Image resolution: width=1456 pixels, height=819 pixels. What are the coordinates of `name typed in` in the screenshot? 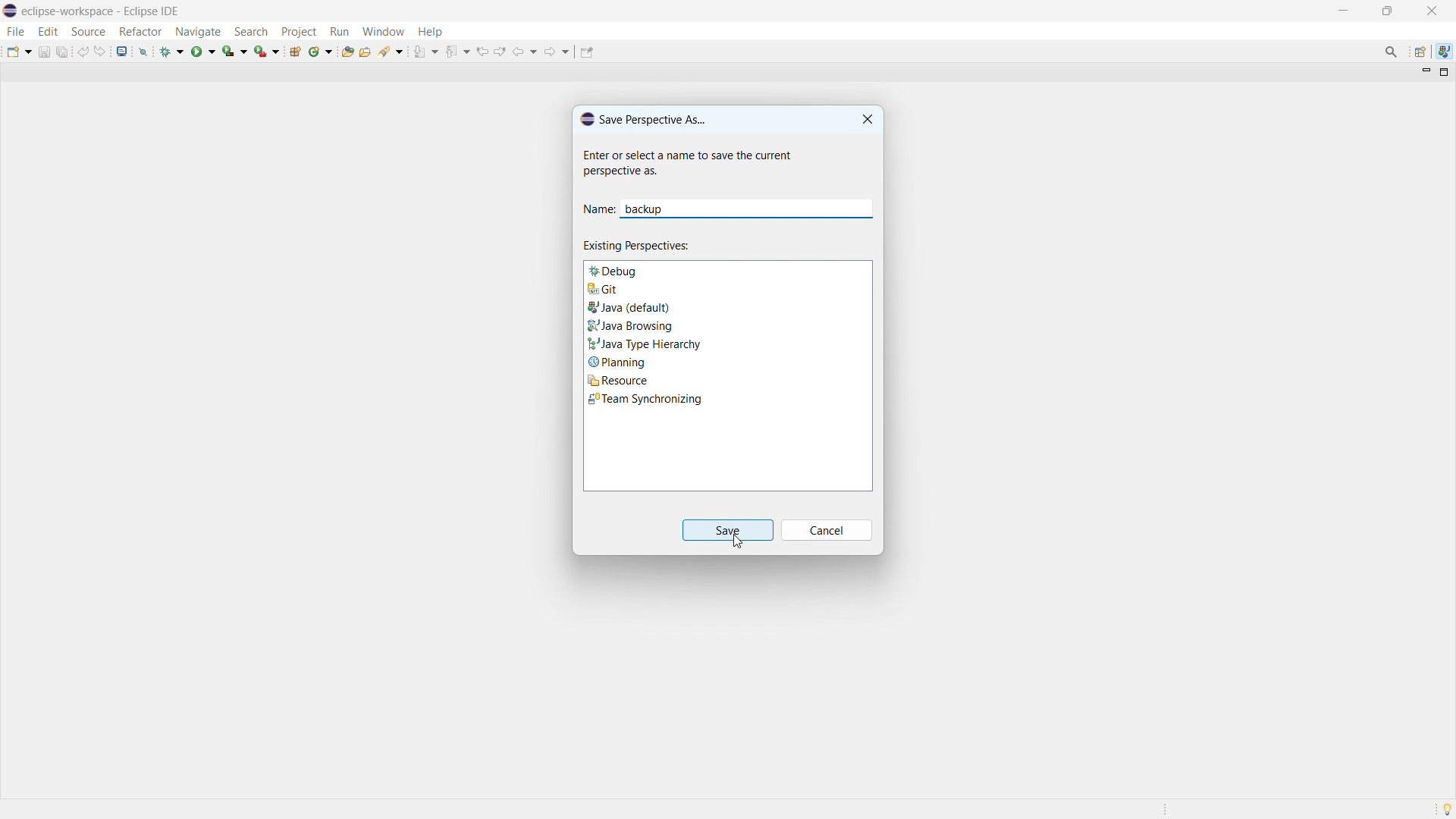 It's located at (647, 209).